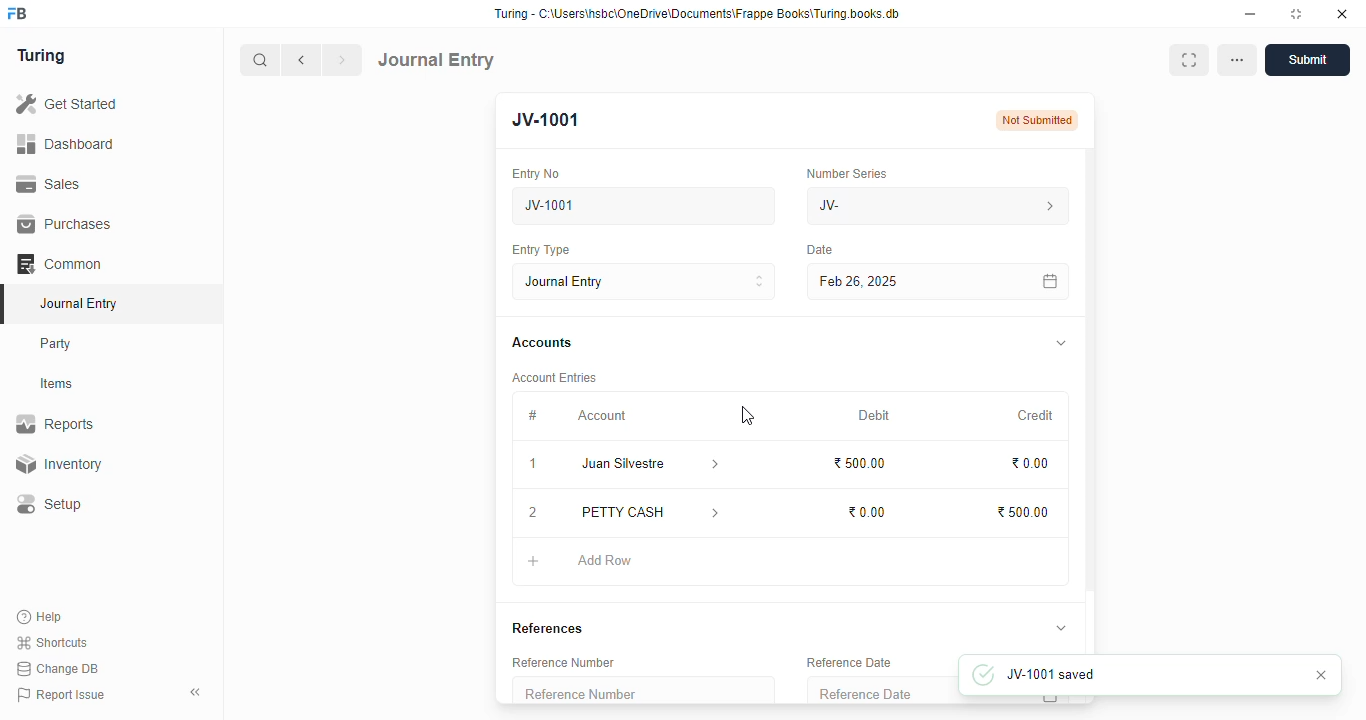  What do you see at coordinates (58, 464) in the screenshot?
I see `inventory` at bounding box center [58, 464].